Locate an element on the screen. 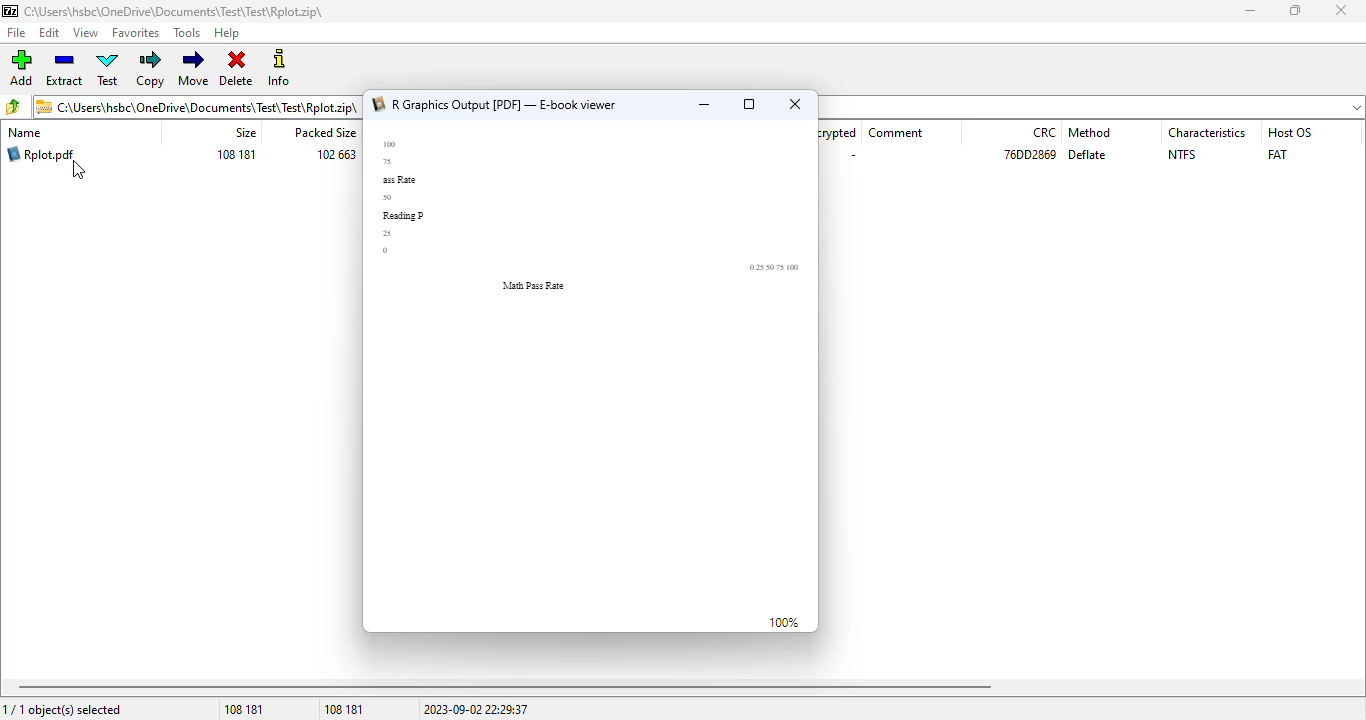 The width and height of the screenshot is (1366, 720). size is located at coordinates (245, 133).